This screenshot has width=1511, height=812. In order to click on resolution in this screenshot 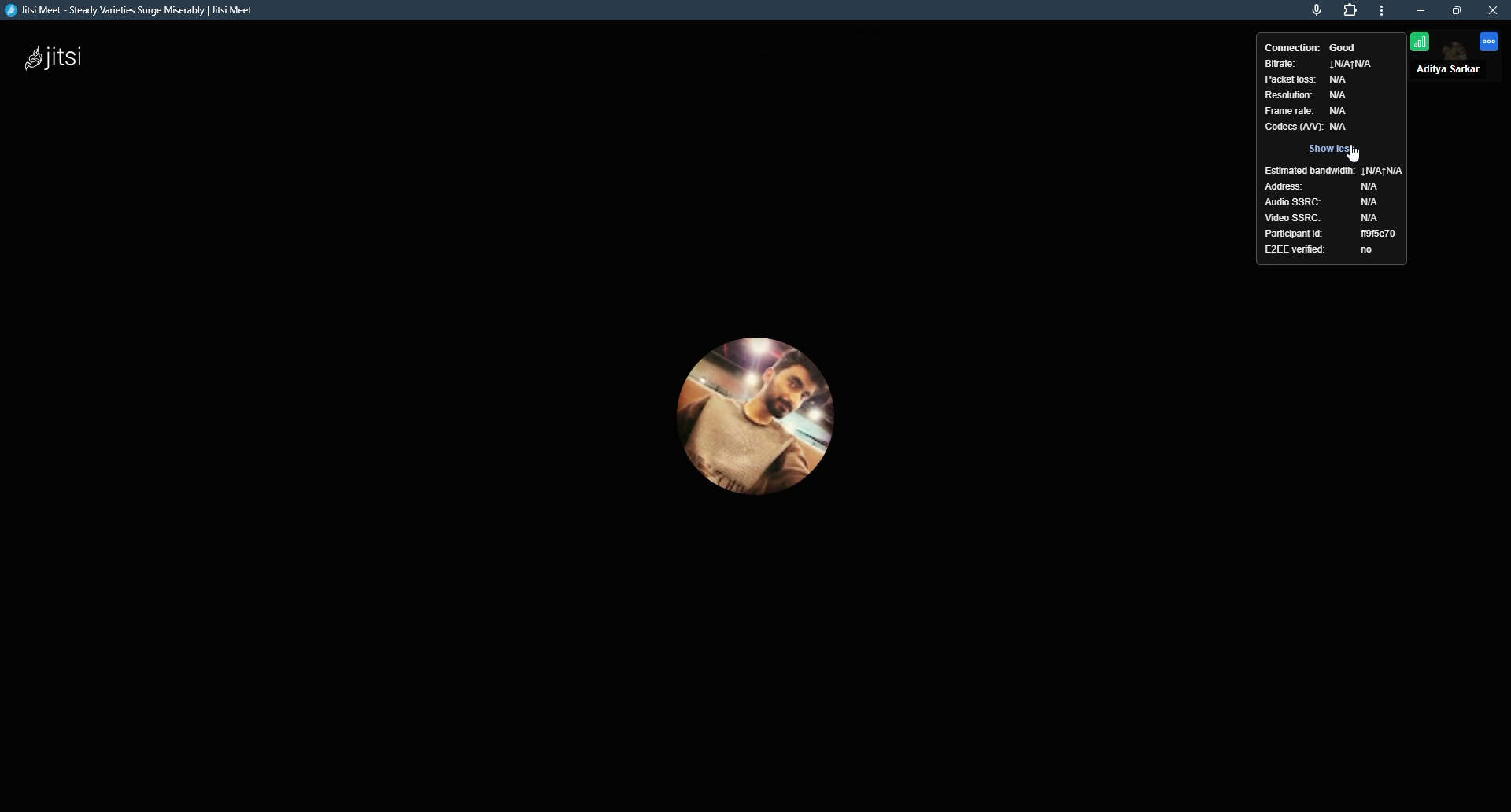, I will do `click(1287, 97)`.